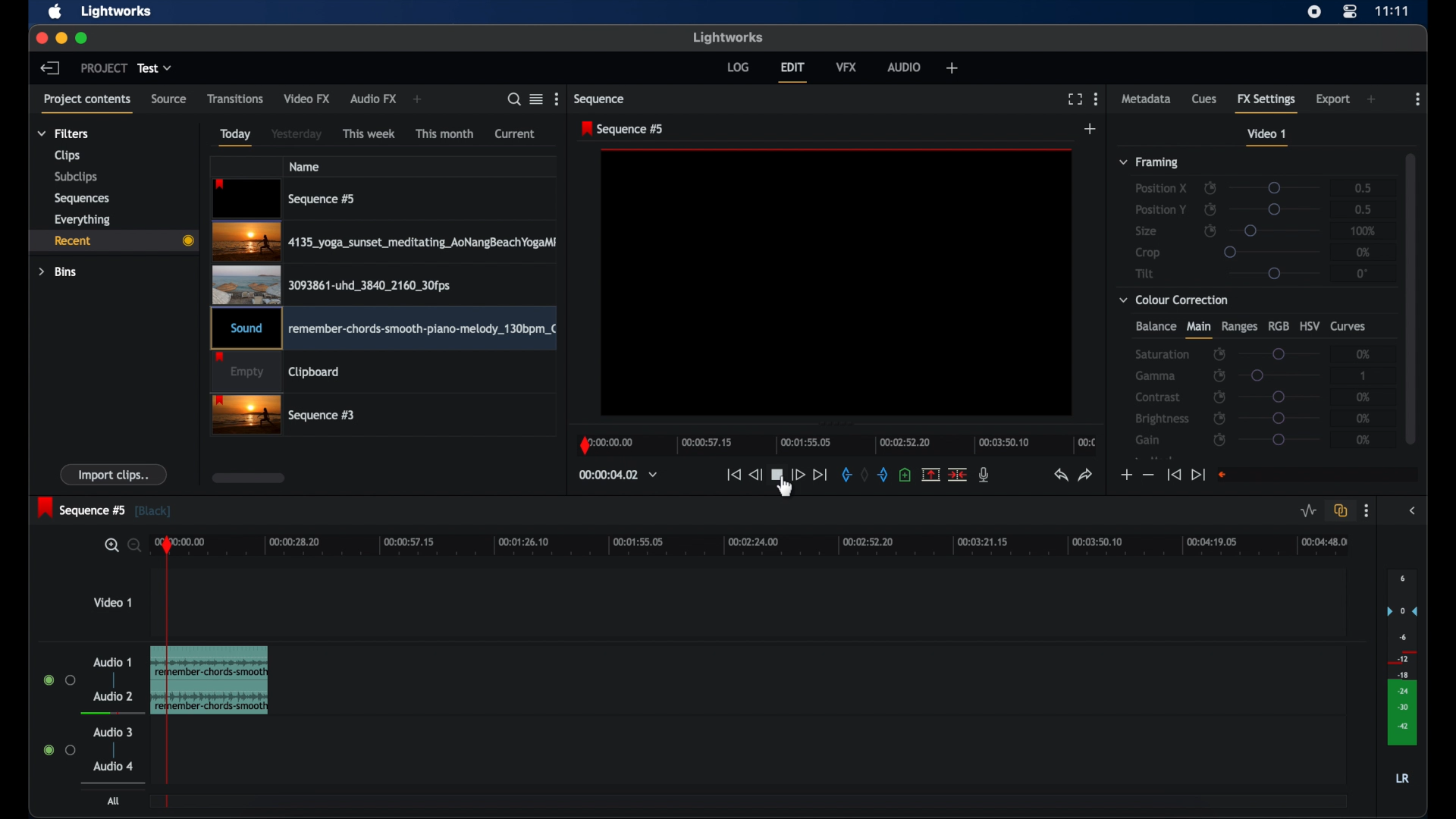 The image size is (1456, 819). I want to click on slider, so click(1274, 274).